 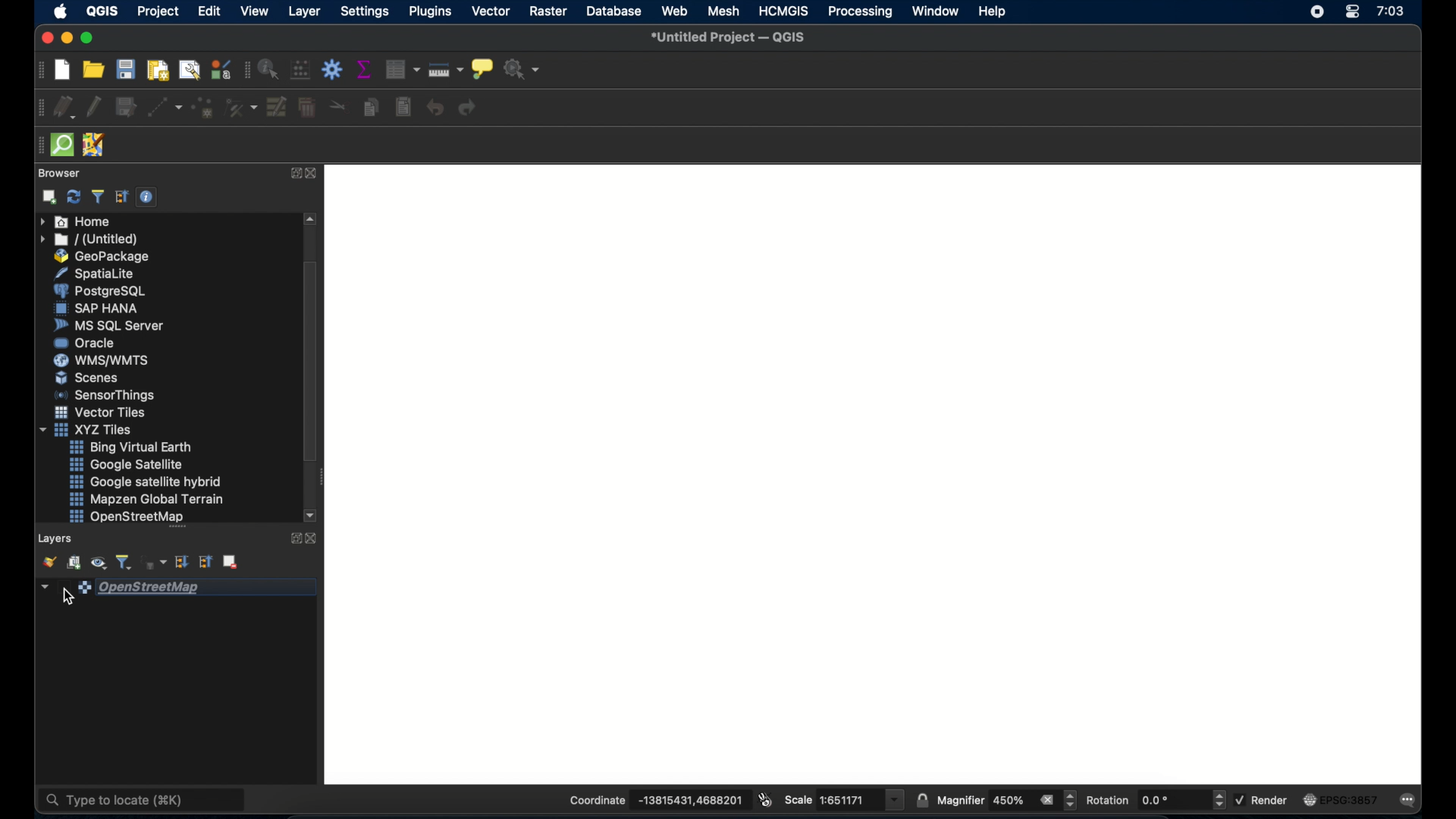 I want to click on identify feature, so click(x=271, y=69).